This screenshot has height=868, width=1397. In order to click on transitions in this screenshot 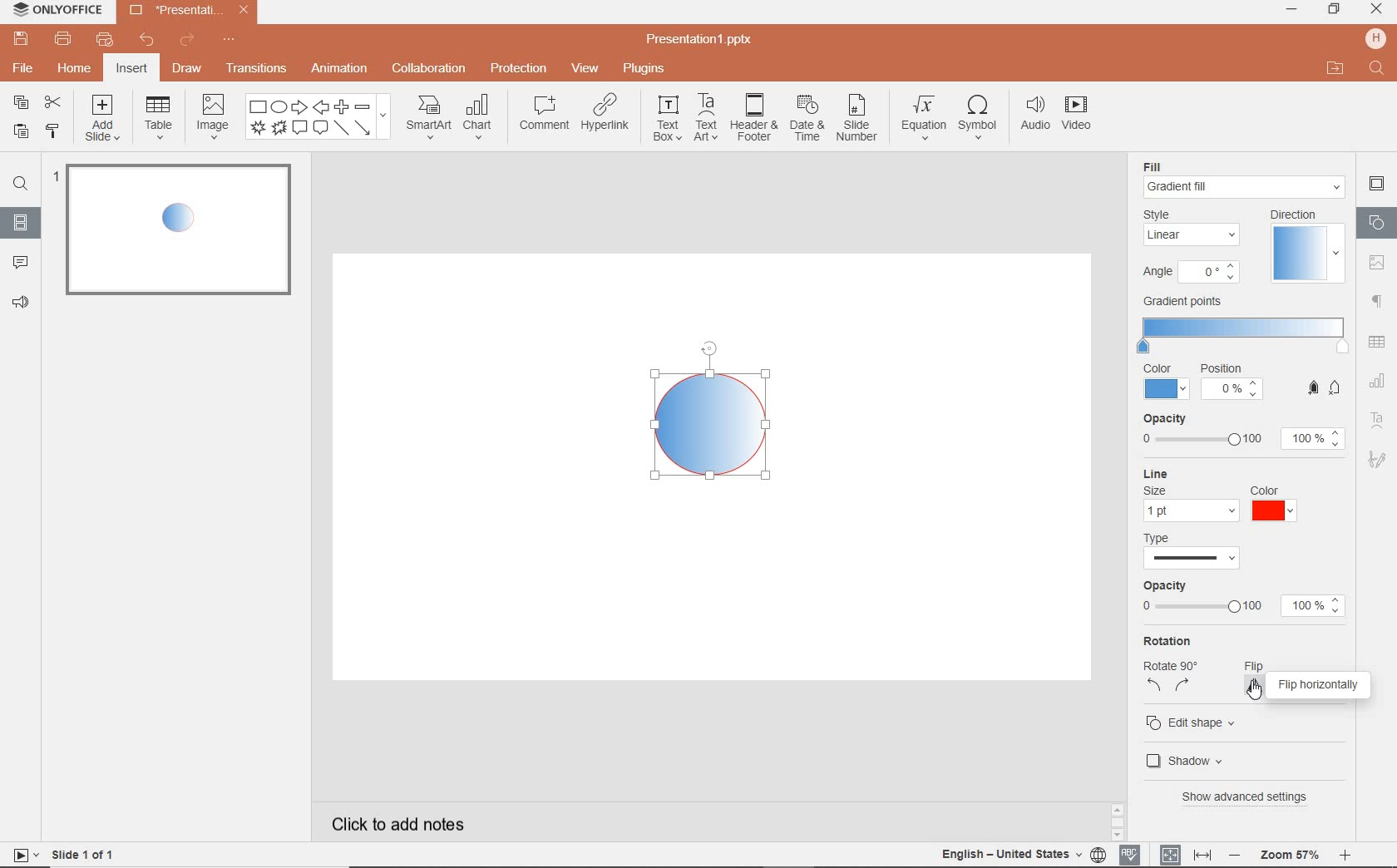, I will do `click(256, 67)`.